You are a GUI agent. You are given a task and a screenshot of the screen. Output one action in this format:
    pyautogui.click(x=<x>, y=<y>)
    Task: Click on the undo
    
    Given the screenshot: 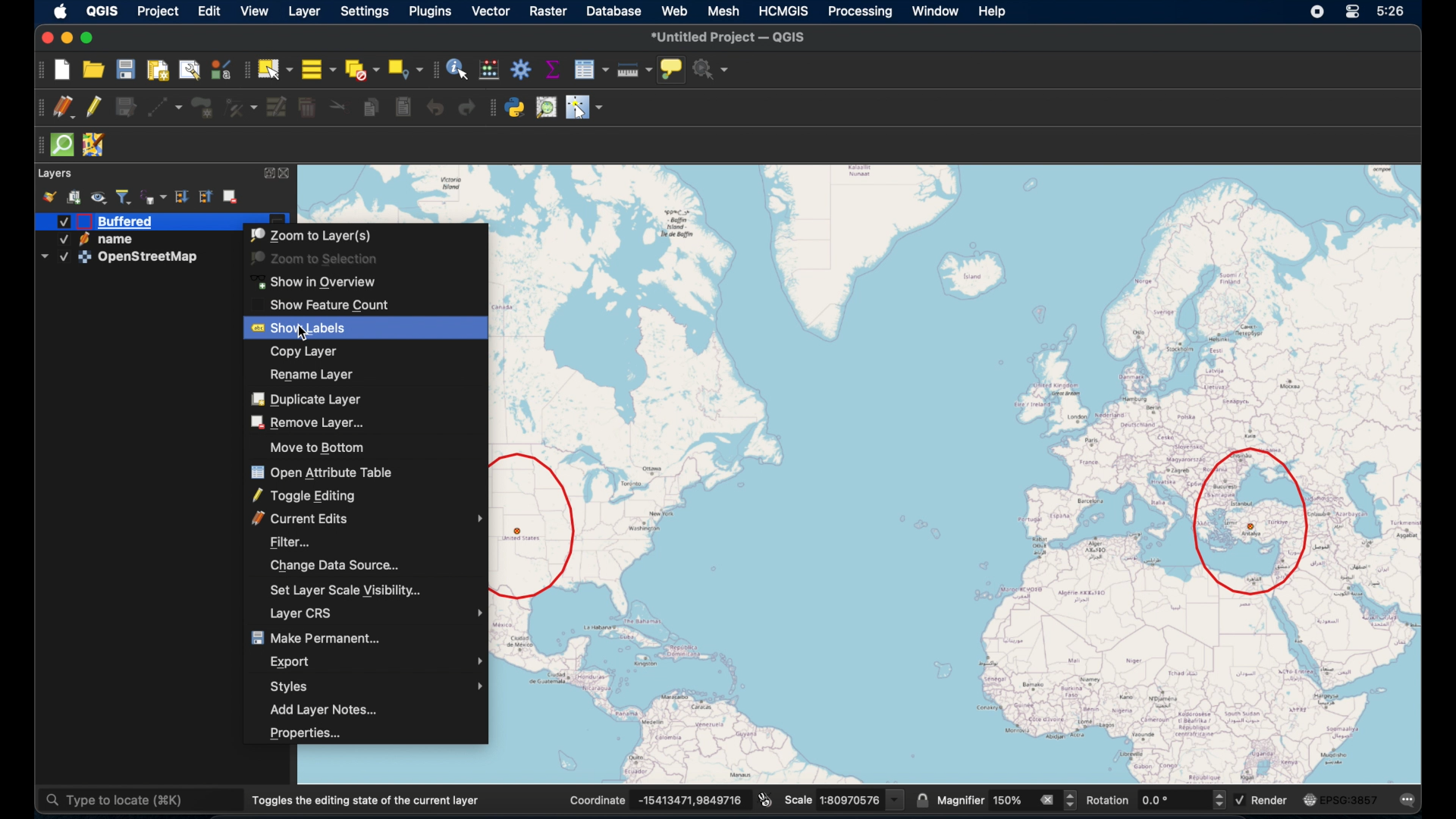 What is the action you would take?
    pyautogui.click(x=436, y=109)
    